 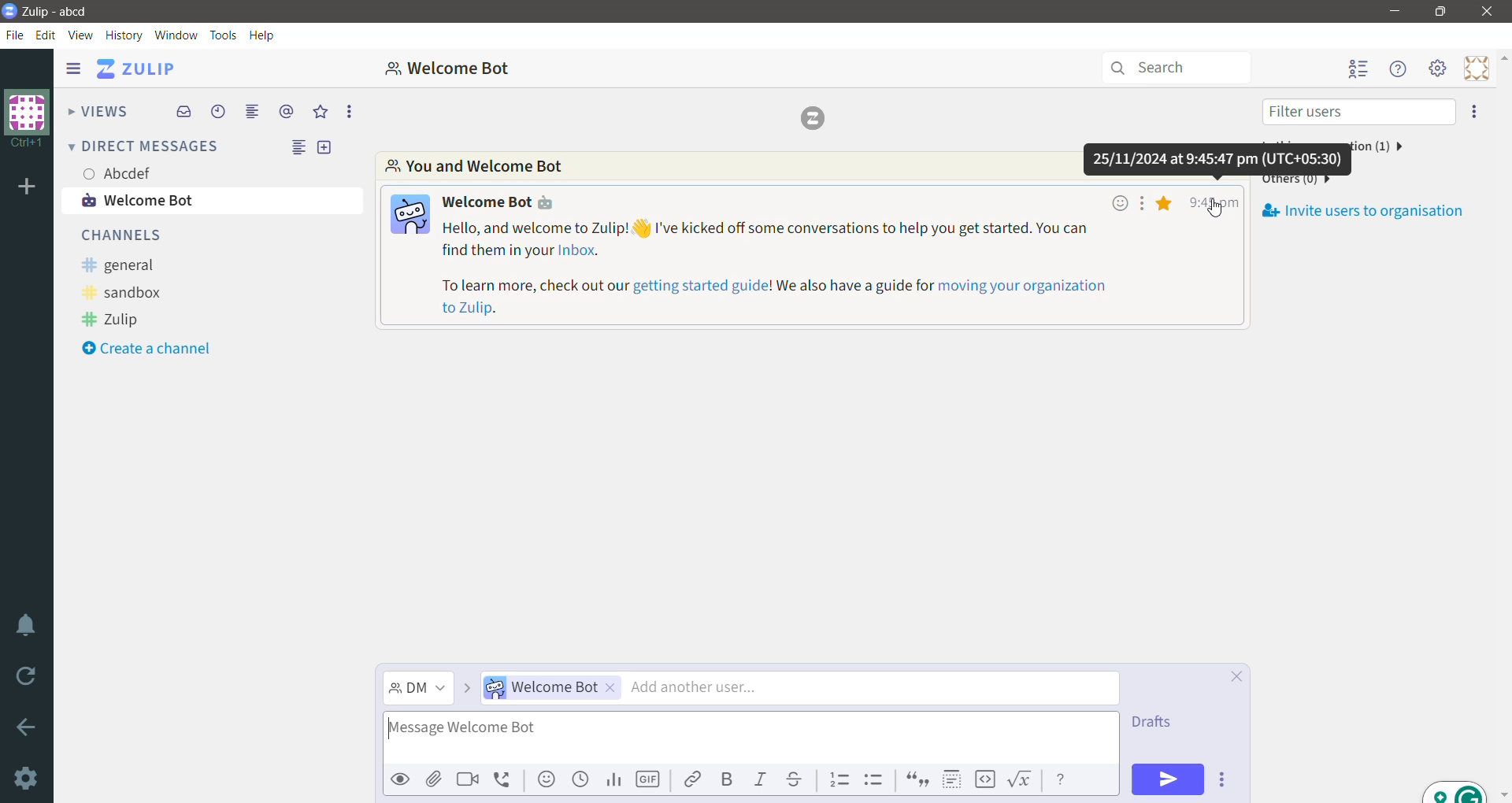 What do you see at coordinates (729, 780) in the screenshot?
I see `Bold` at bounding box center [729, 780].